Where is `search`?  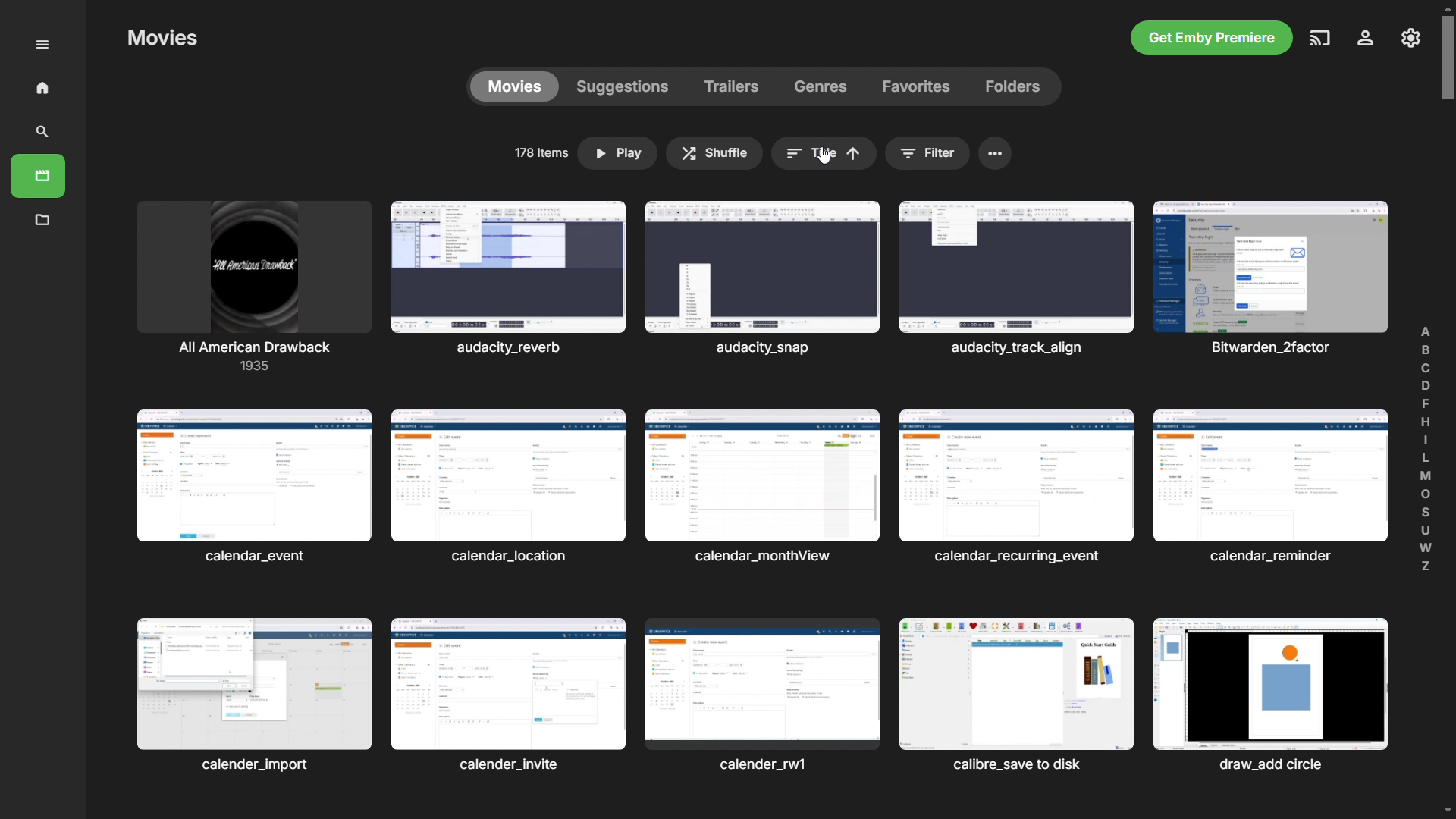
search is located at coordinates (42, 133).